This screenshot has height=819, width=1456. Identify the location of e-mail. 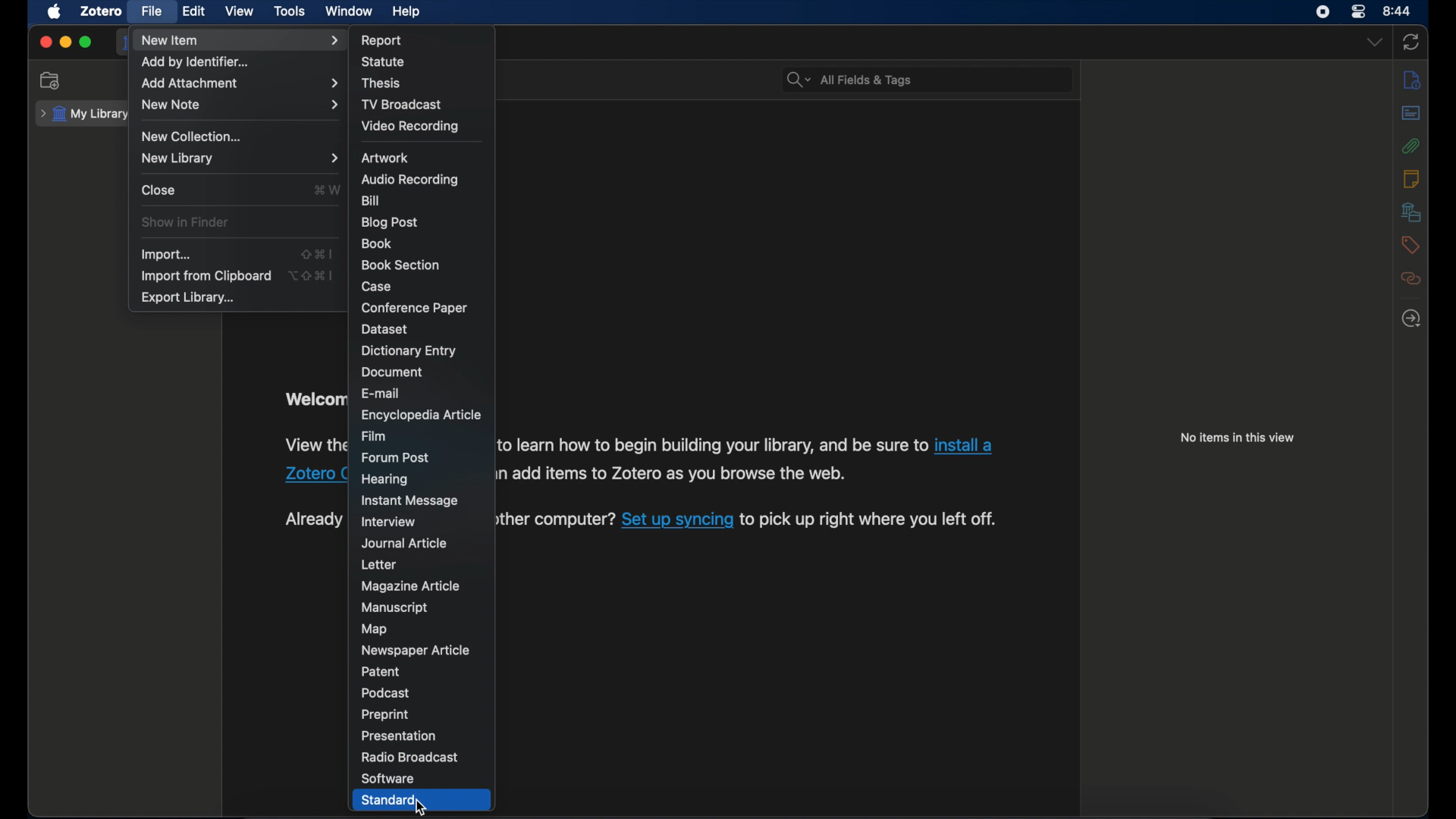
(382, 393).